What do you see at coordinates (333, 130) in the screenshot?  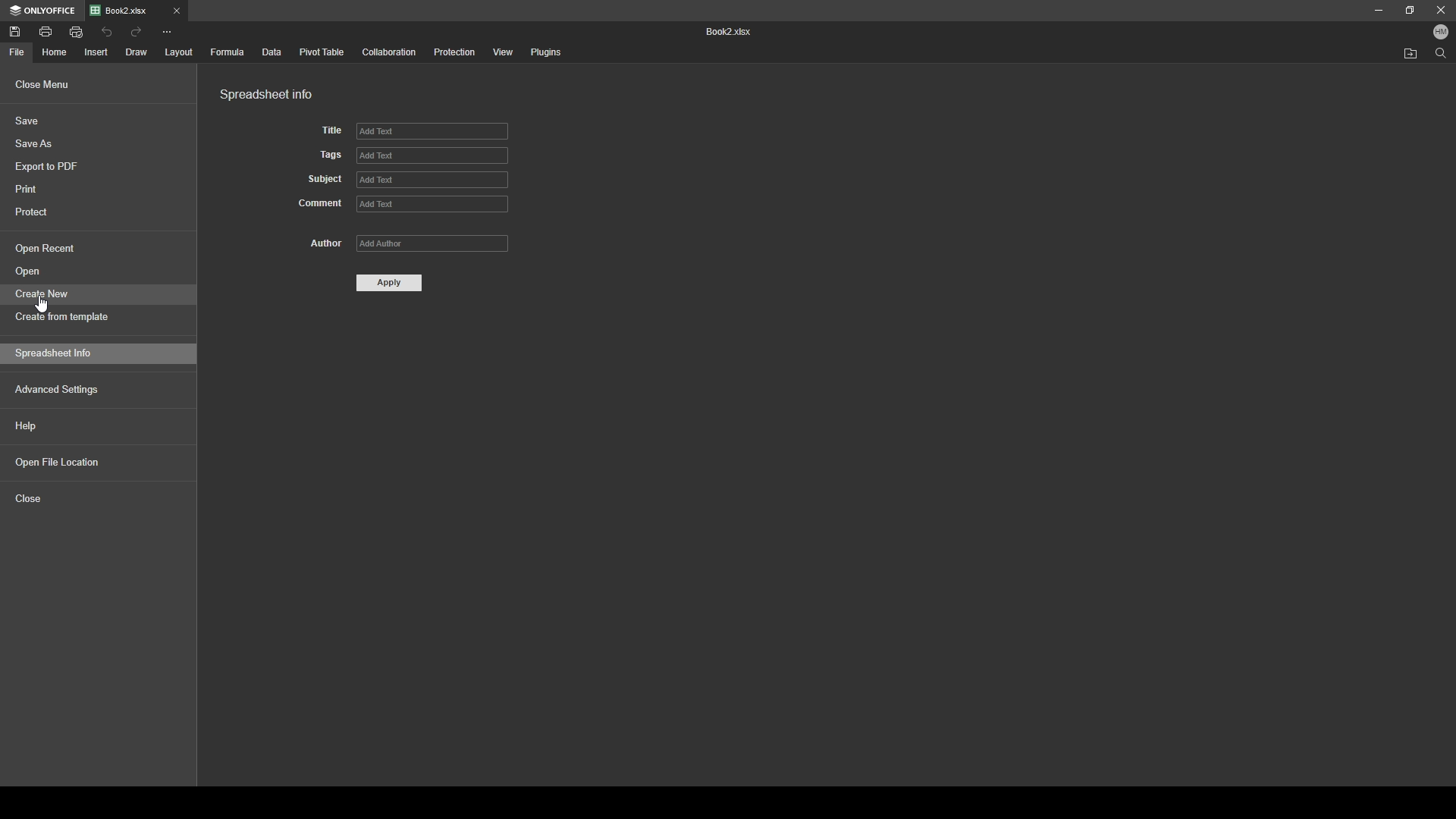 I see `title` at bounding box center [333, 130].